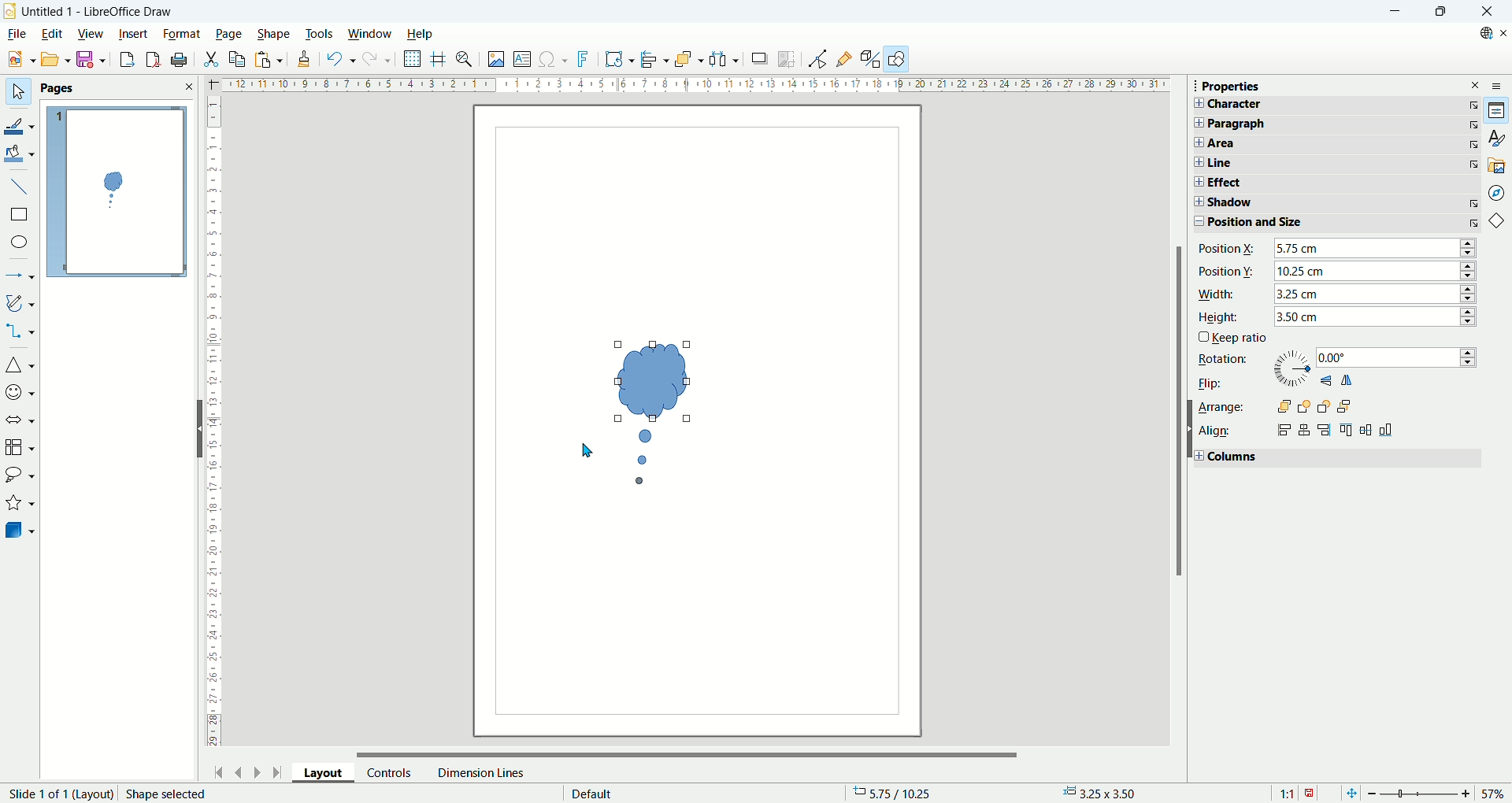 This screenshot has height=803, width=1512. I want to click on toggle extrusion, so click(871, 60).